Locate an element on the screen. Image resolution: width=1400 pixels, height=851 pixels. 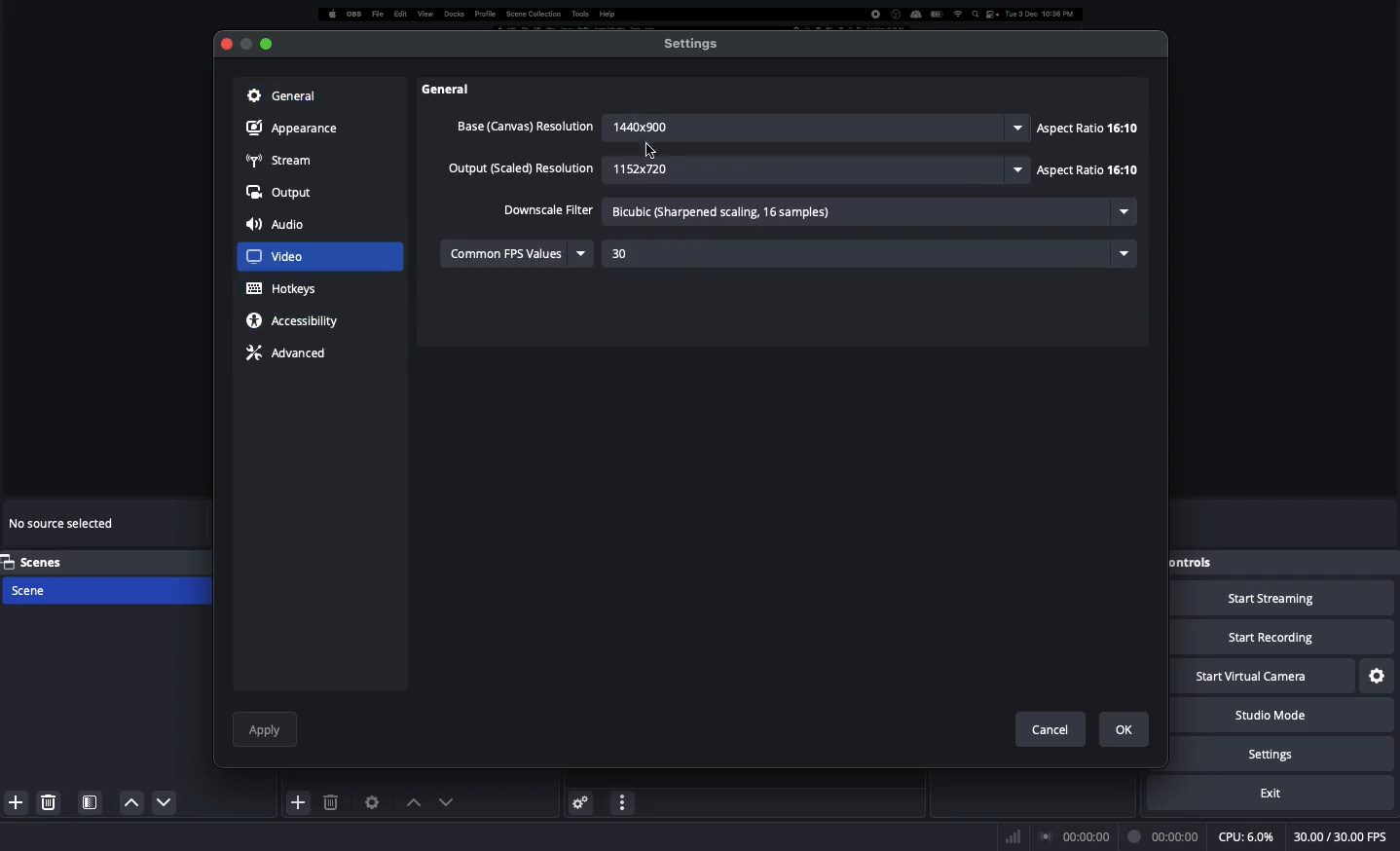
Output resolution  is located at coordinates (523, 170).